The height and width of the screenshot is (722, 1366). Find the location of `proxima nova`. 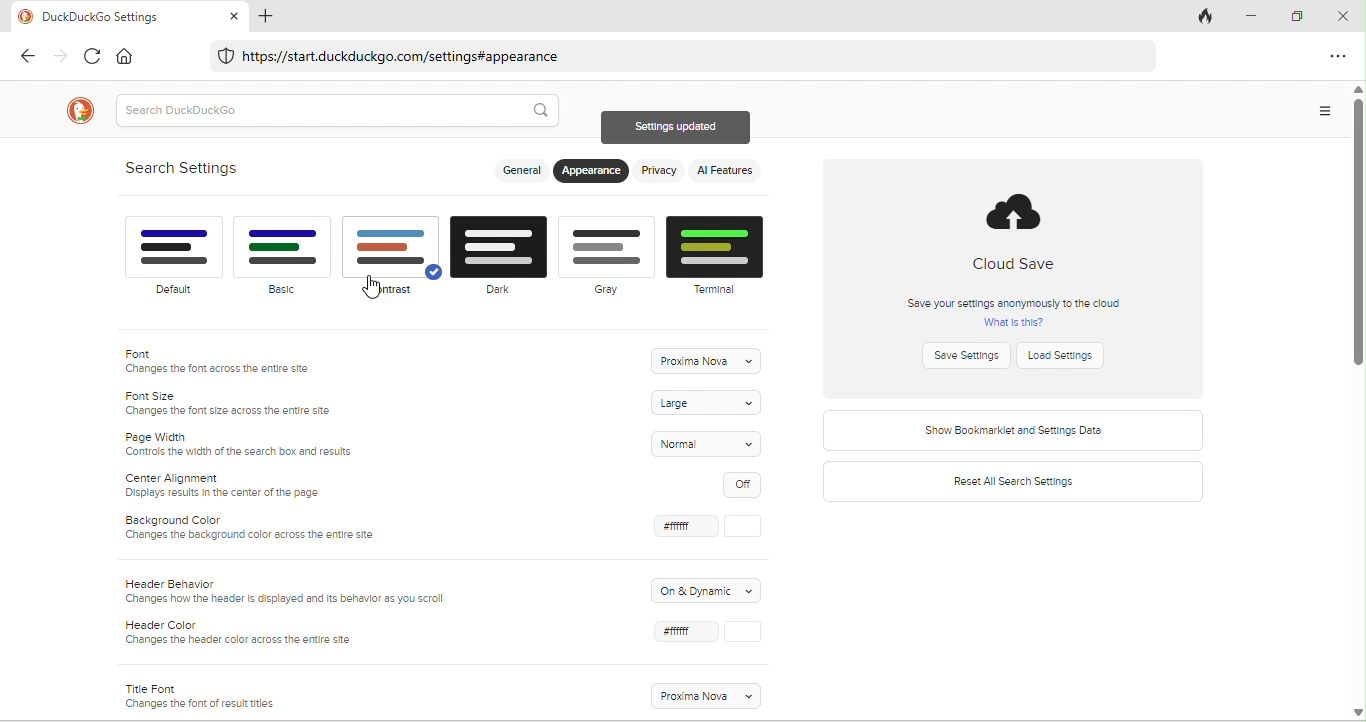

proxima nova is located at coordinates (705, 360).